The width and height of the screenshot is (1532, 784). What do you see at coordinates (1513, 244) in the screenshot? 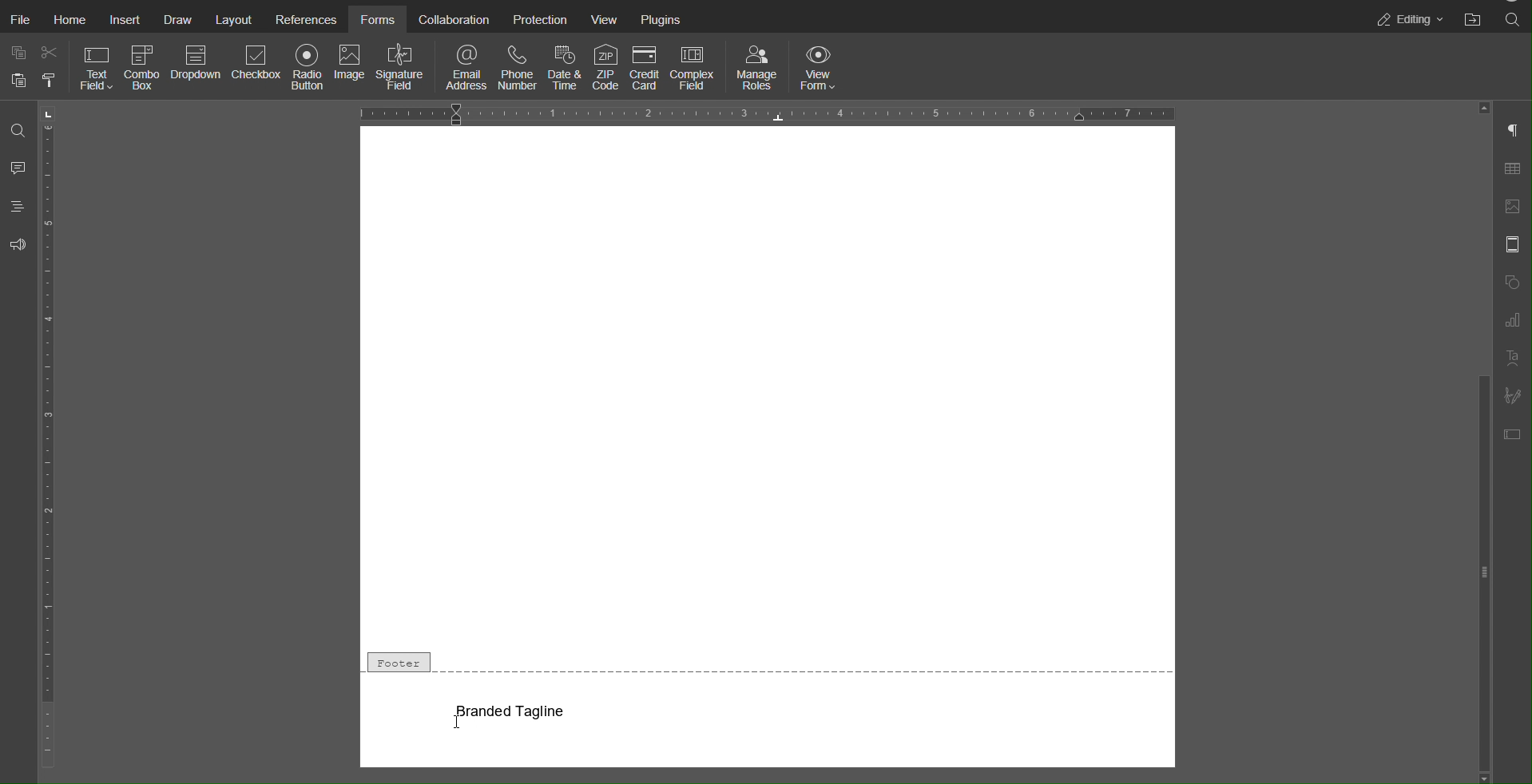
I see `Header/Footer` at bounding box center [1513, 244].